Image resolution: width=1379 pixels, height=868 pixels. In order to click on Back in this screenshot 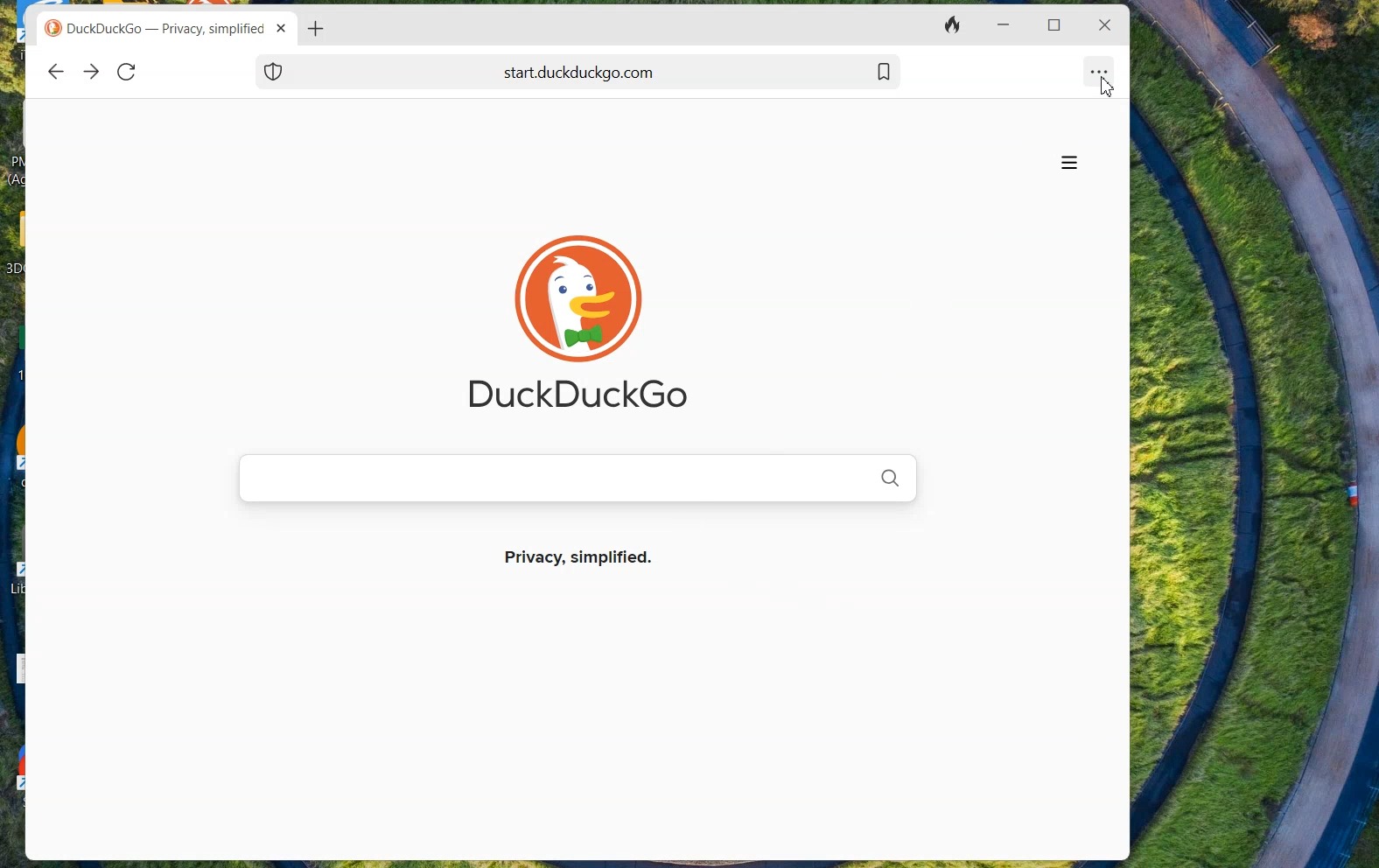, I will do `click(55, 72)`.